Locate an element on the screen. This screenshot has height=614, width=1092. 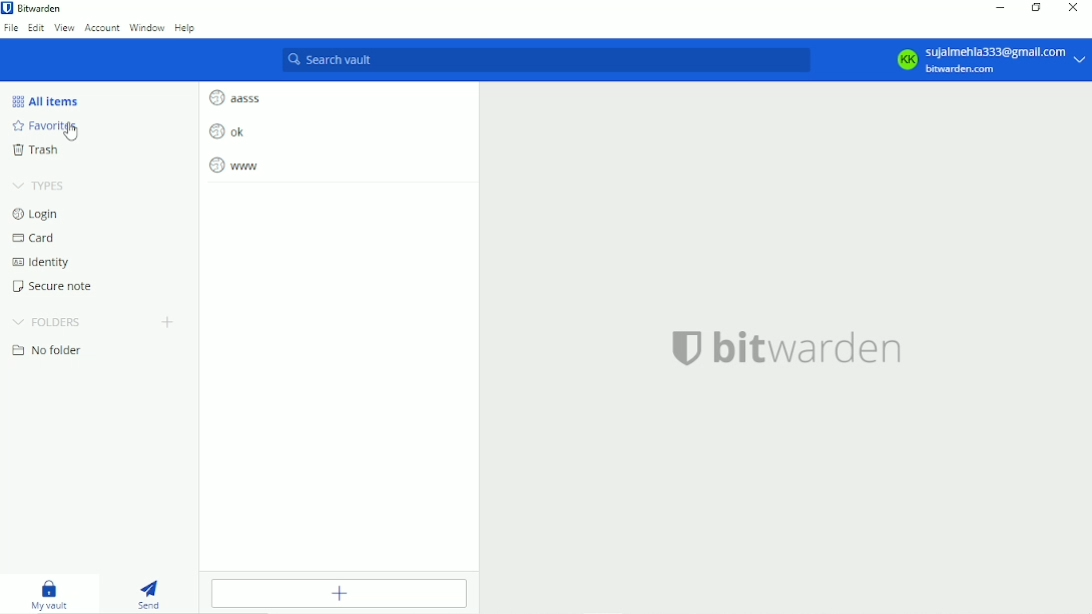
Help is located at coordinates (186, 30).